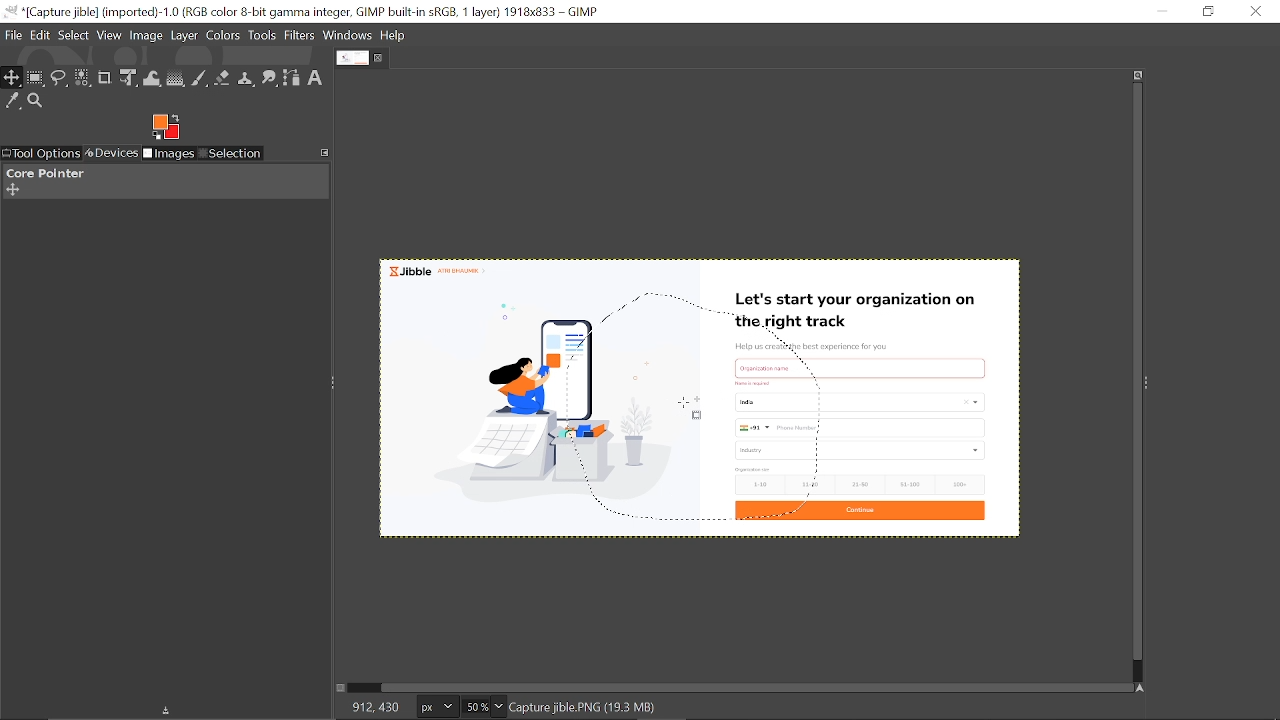 Image resolution: width=1280 pixels, height=720 pixels. I want to click on Let's start your organization on
the right track, so click(859, 312).